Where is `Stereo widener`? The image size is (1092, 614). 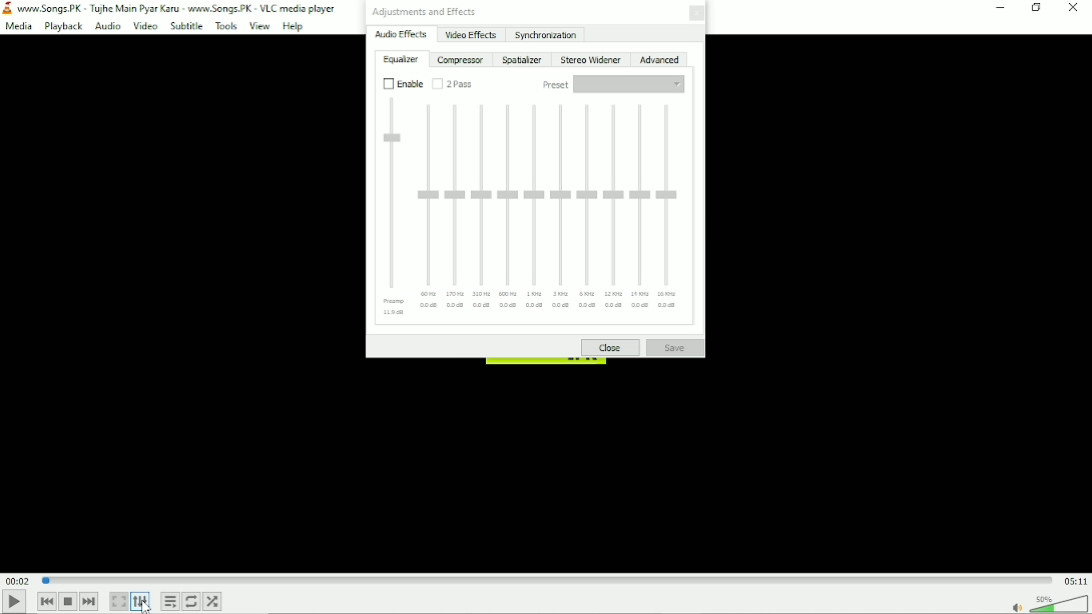
Stereo widener is located at coordinates (591, 60).